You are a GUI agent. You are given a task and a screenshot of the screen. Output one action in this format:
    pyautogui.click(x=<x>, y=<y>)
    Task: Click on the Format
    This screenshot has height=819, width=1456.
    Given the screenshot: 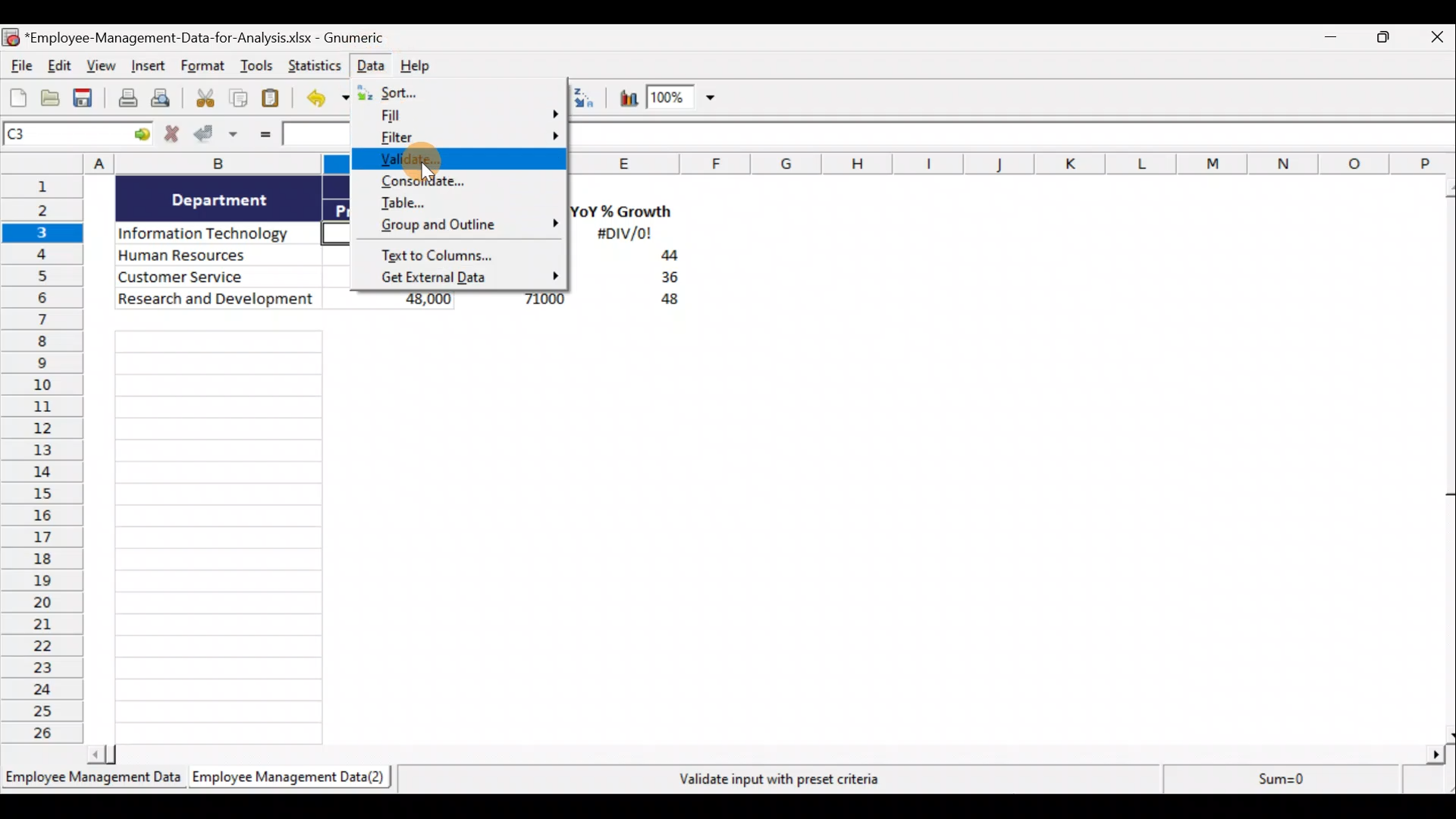 What is the action you would take?
    pyautogui.click(x=203, y=68)
    